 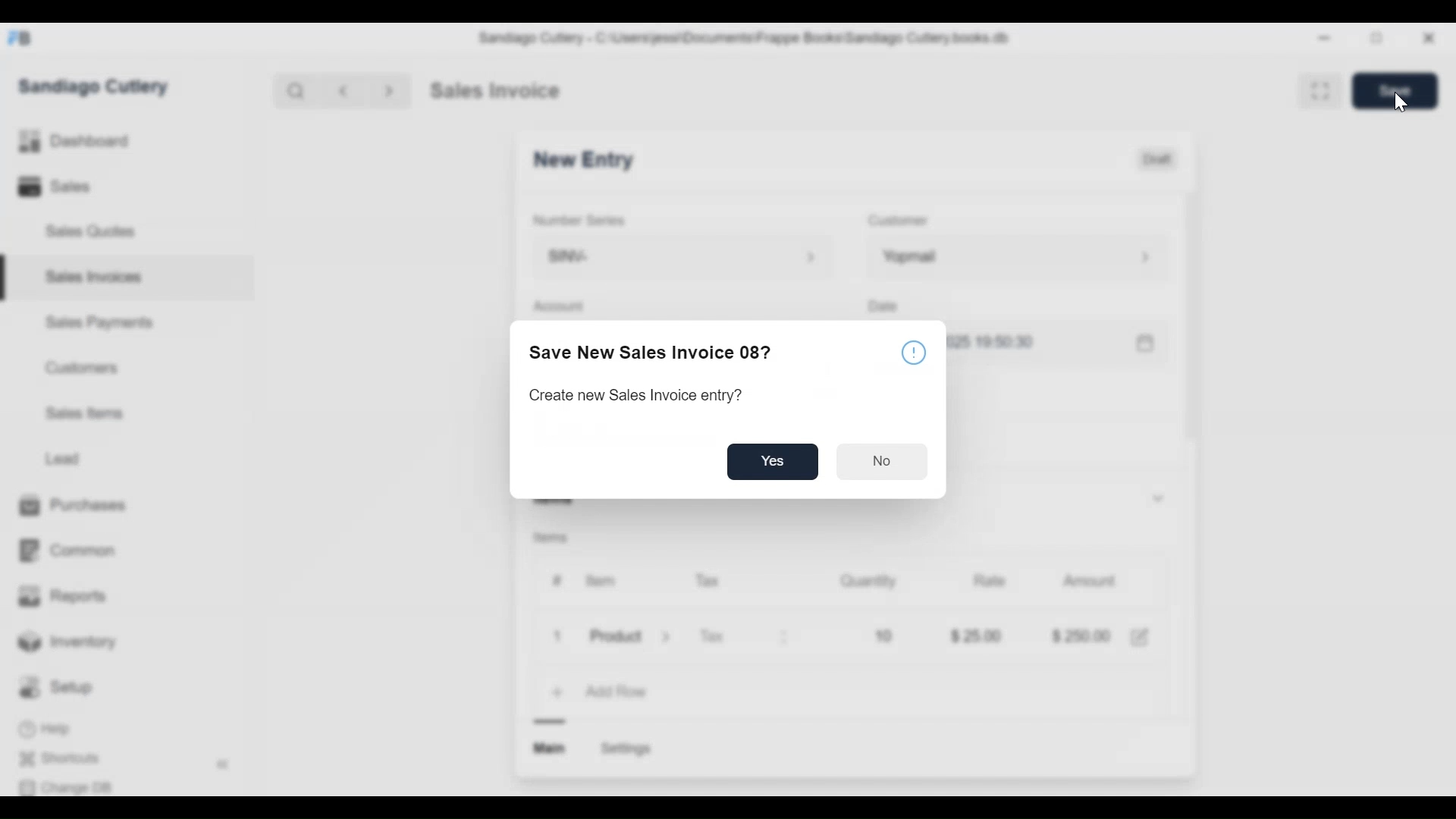 I want to click on yes, so click(x=770, y=462).